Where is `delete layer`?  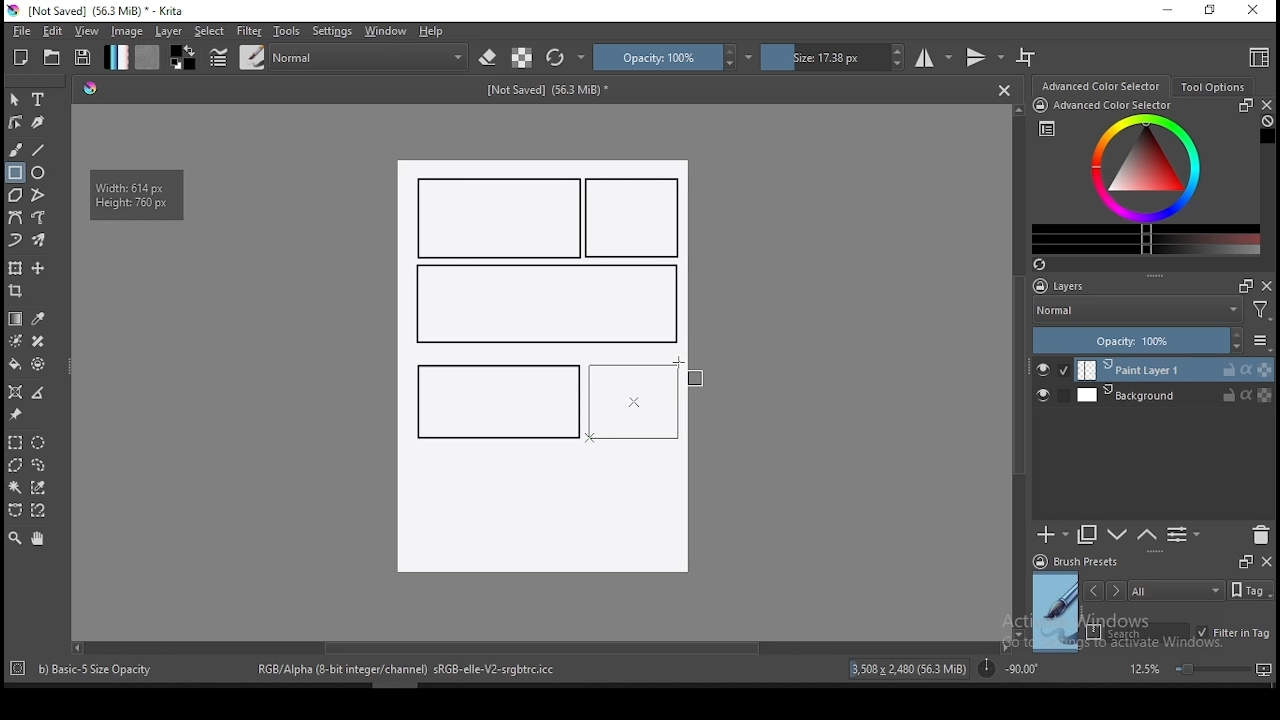
delete layer is located at coordinates (1260, 536).